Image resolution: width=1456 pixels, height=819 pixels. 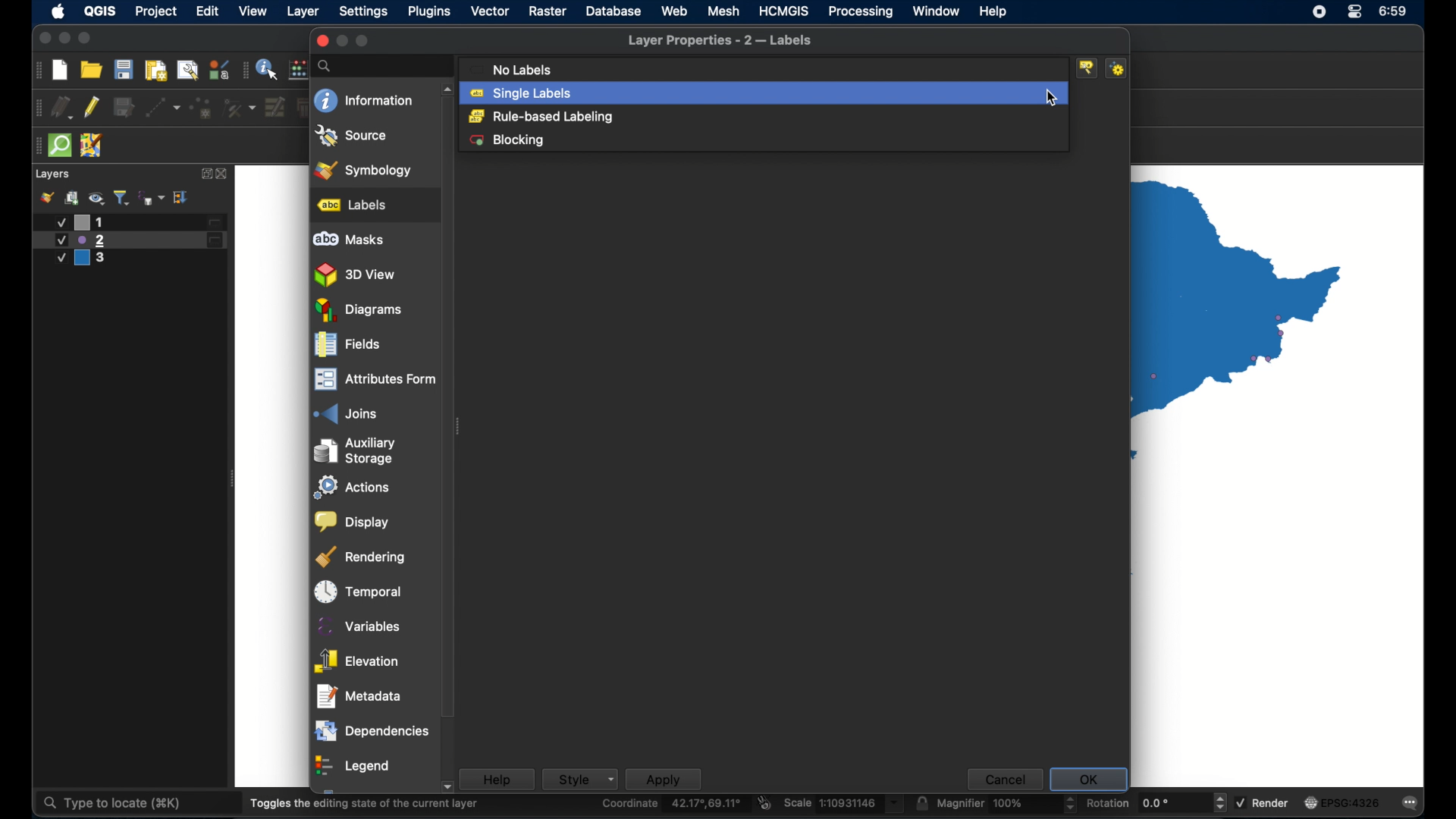 I want to click on filter legend by expression, so click(x=152, y=198).